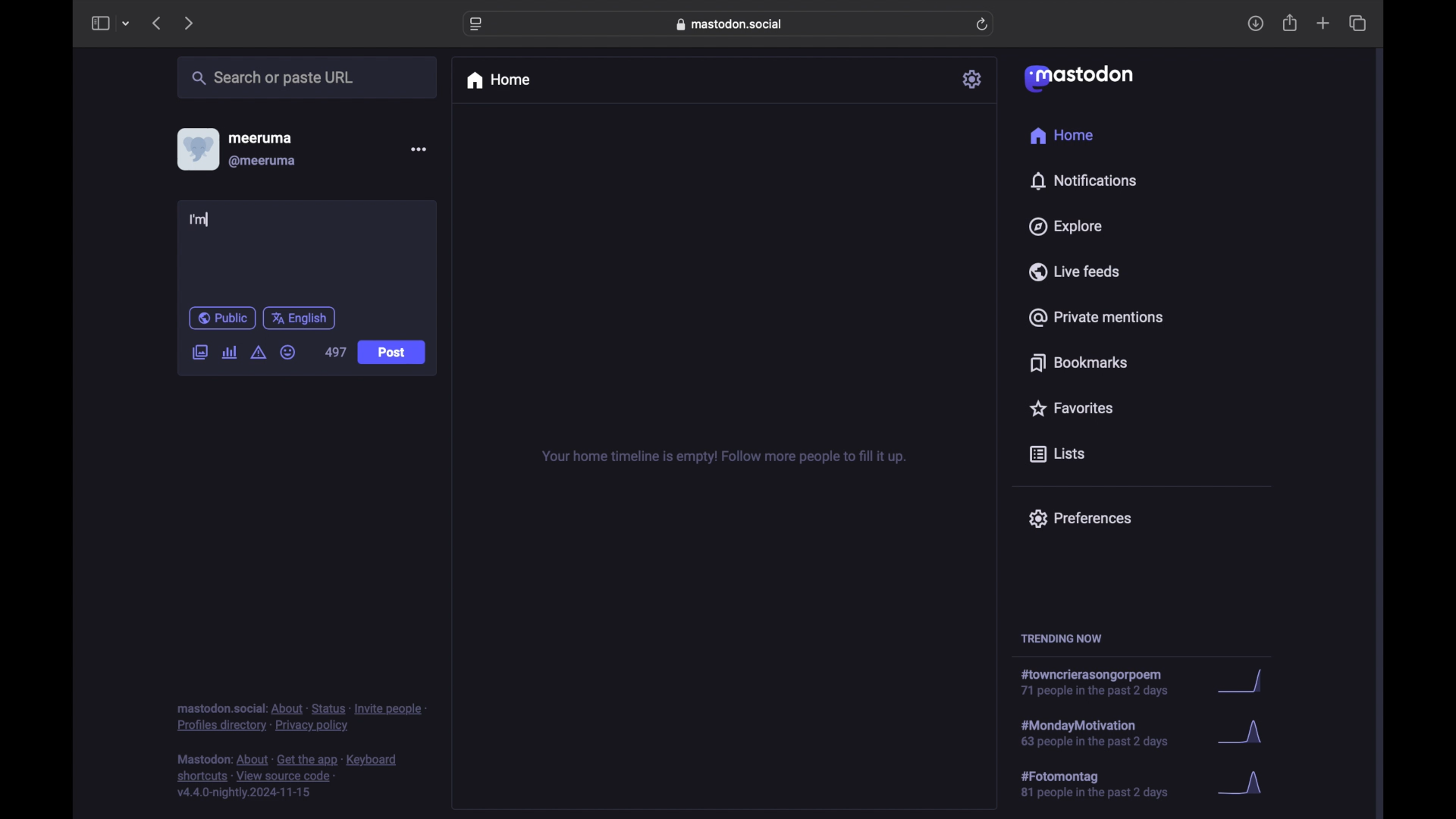  What do you see at coordinates (202, 220) in the screenshot?
I see `I'm` at bounding box center [202, 220].